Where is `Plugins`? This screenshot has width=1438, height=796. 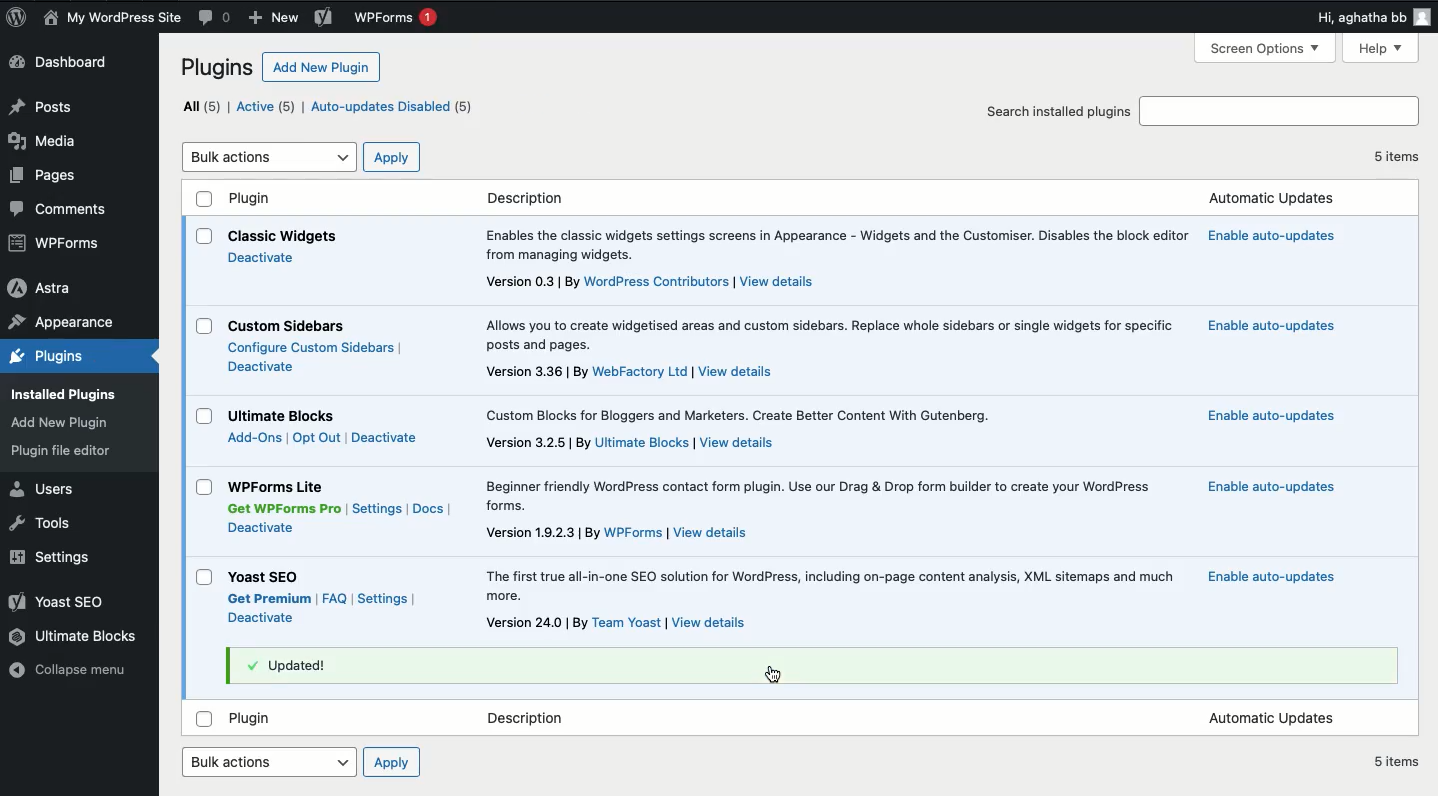
Plugins is located at coordinates (62, 424).